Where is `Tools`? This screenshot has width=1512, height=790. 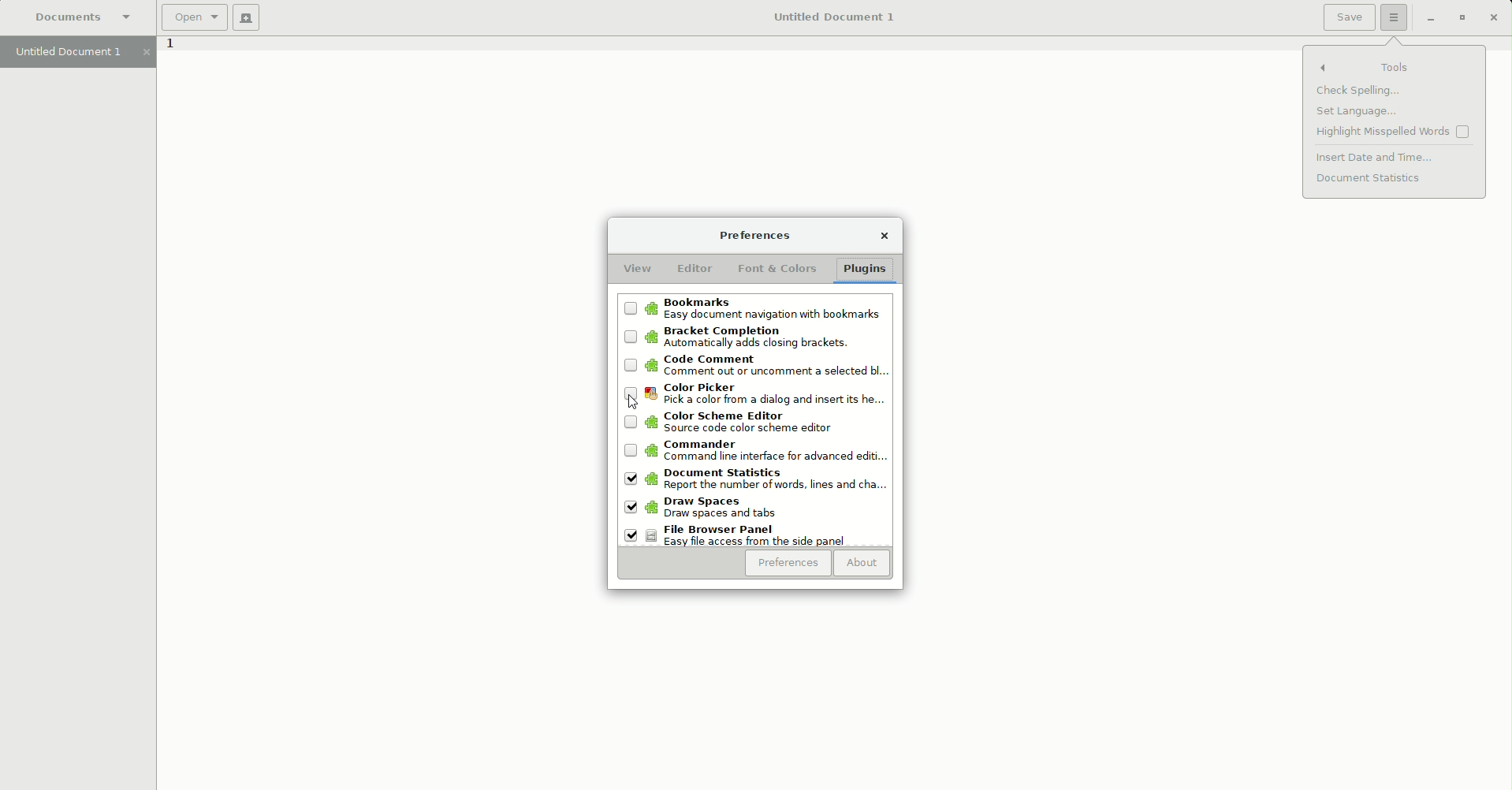 Tools is located at coordinates (1396, 67).